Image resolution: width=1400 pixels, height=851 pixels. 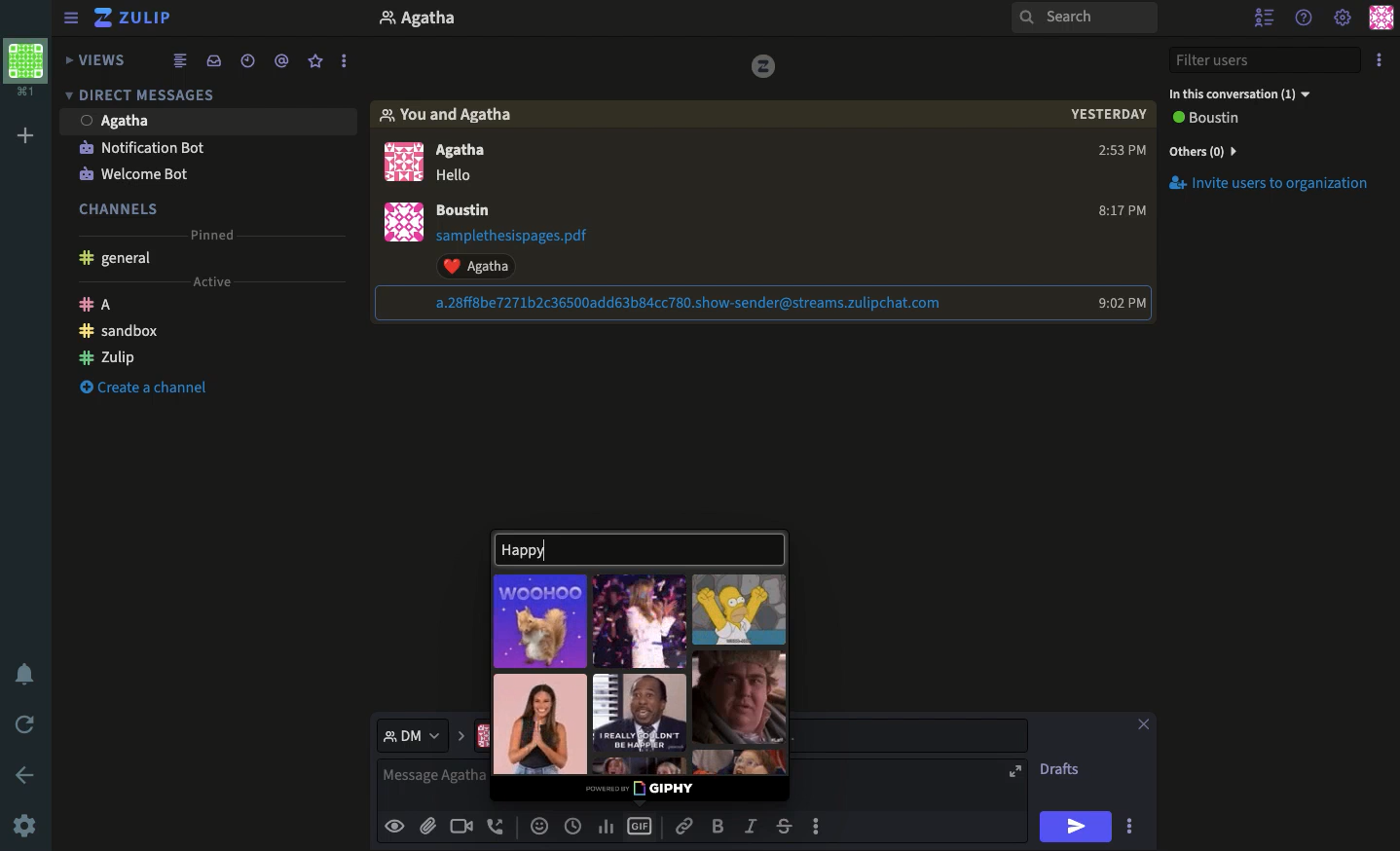 I want to click on View all users, so click(x=1221, y=120).